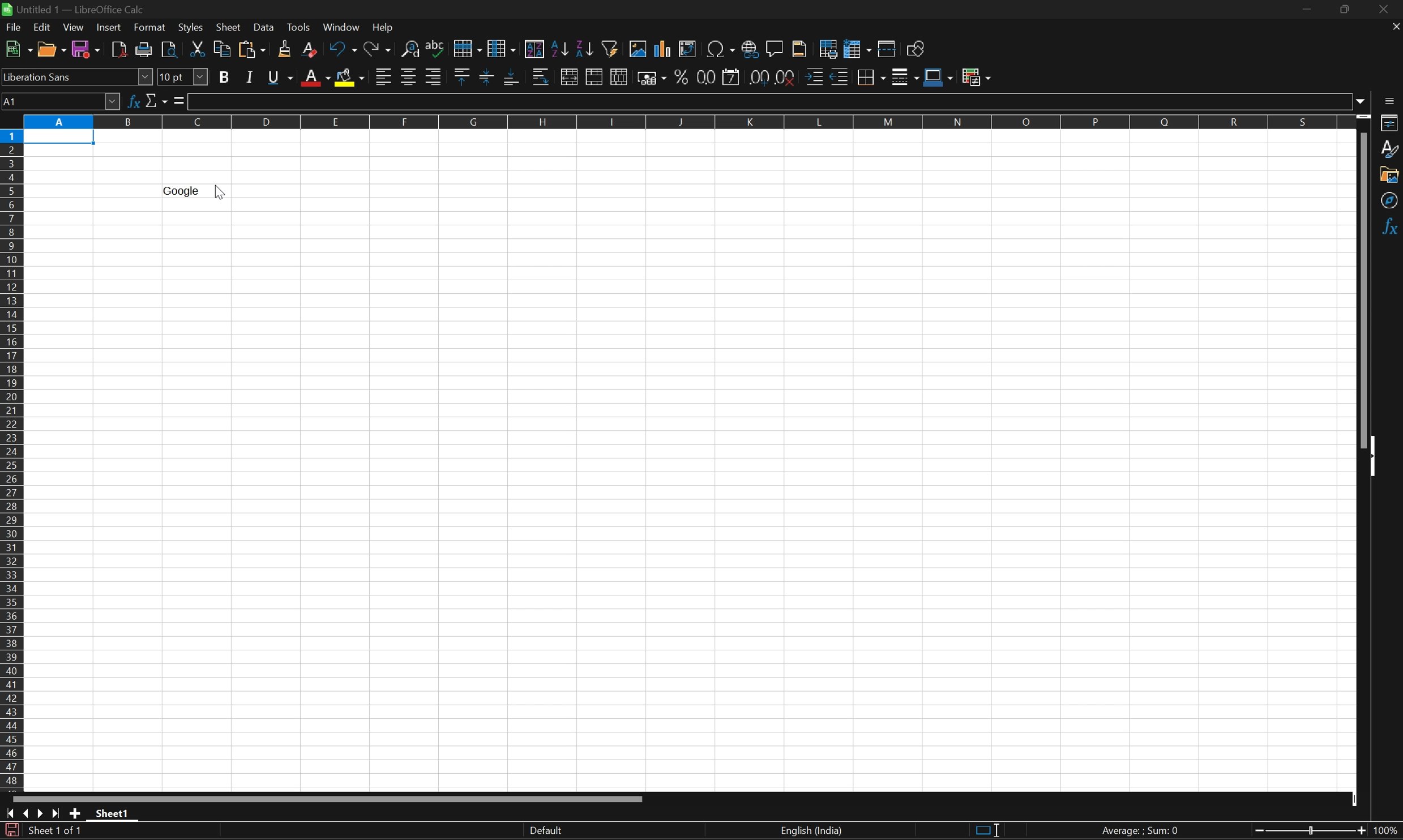 The height and width of the screenshot is (840, 1403). I want to click on Functions, so click(1391, 228).